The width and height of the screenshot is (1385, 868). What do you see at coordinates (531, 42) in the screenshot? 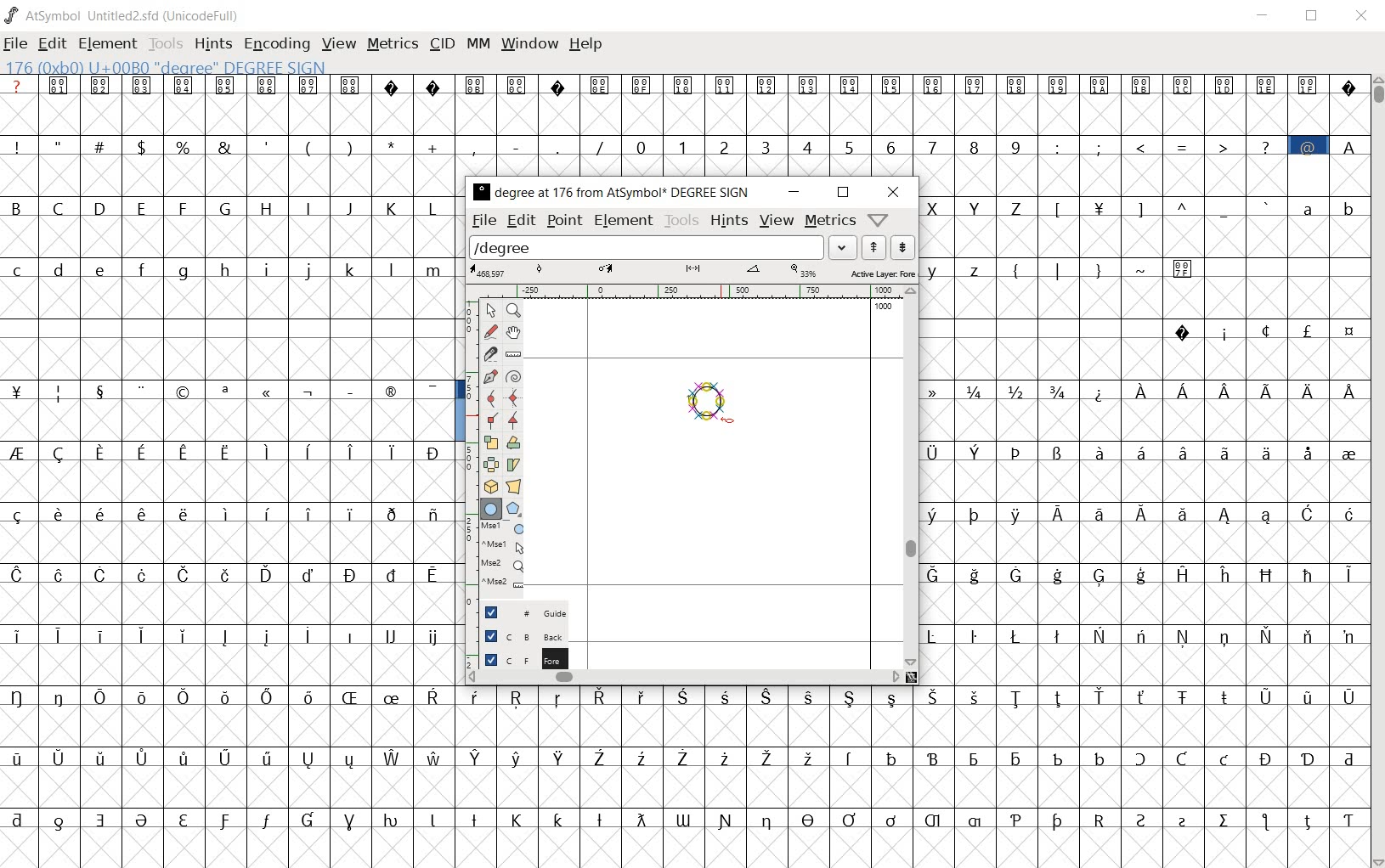
I see `window` at bounding box center [531, 42].